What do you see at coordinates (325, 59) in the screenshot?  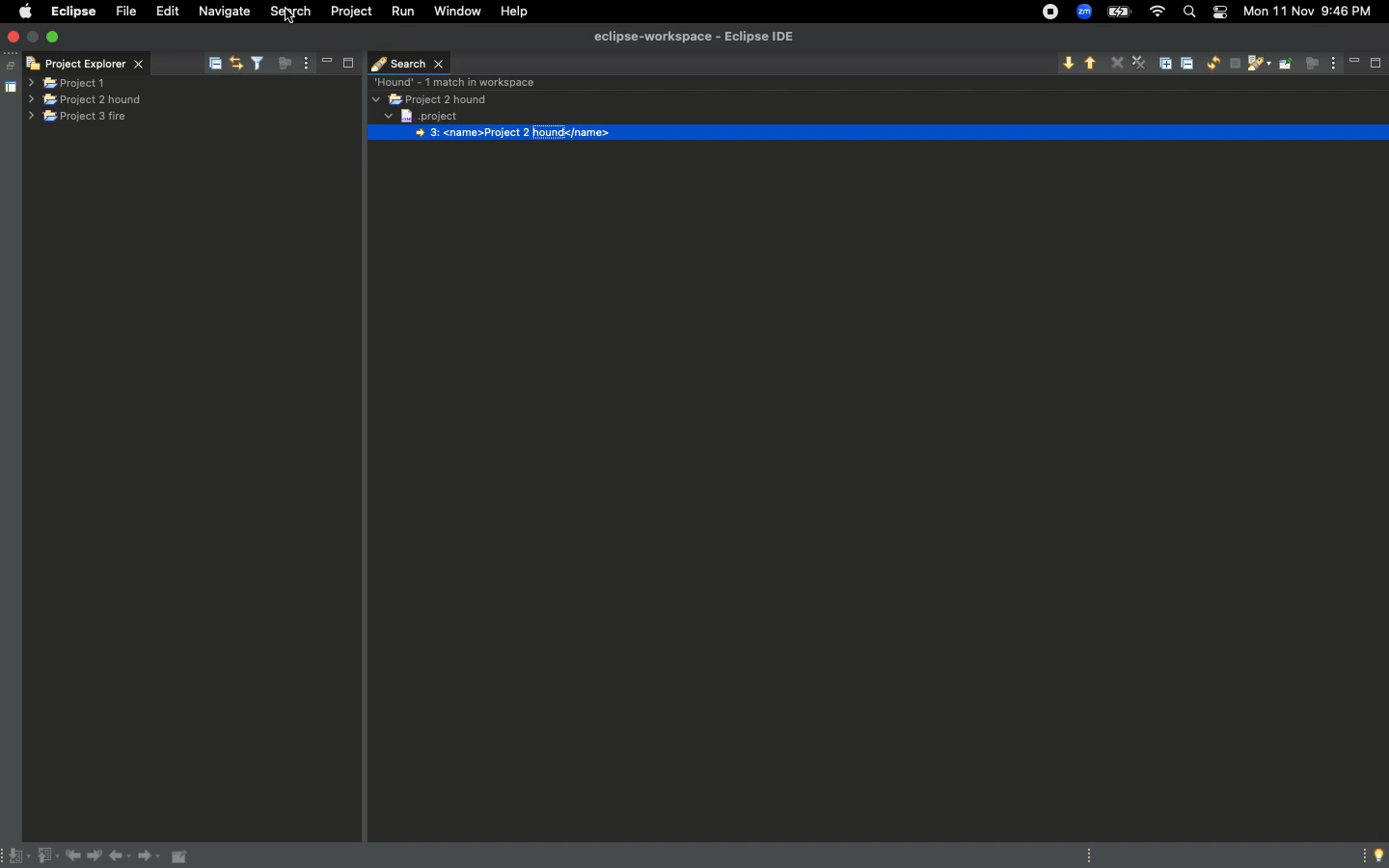 I see `minimise` at bounding box center [325, 59].